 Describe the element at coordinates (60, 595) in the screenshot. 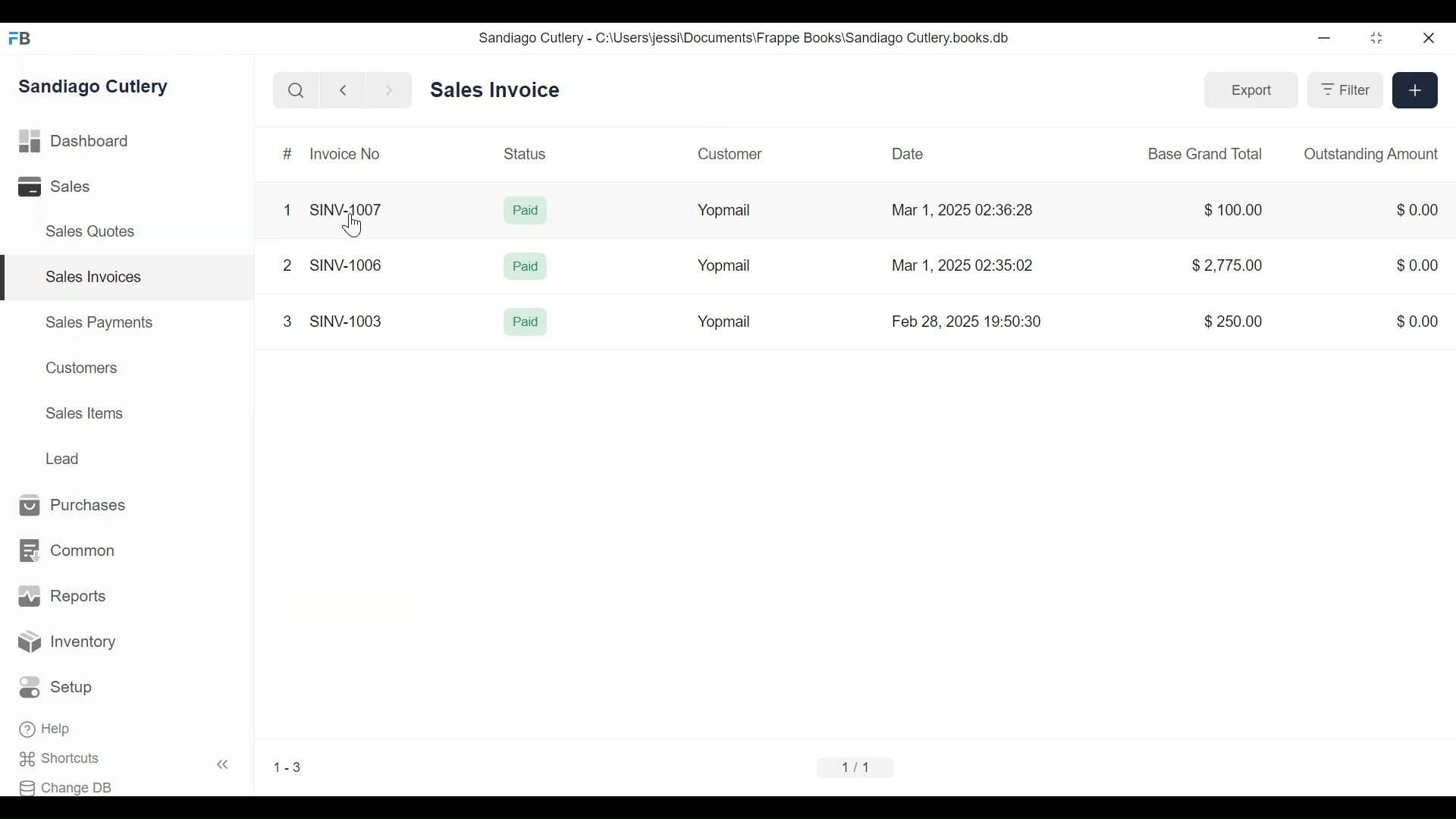

I see `Reports` at that location.